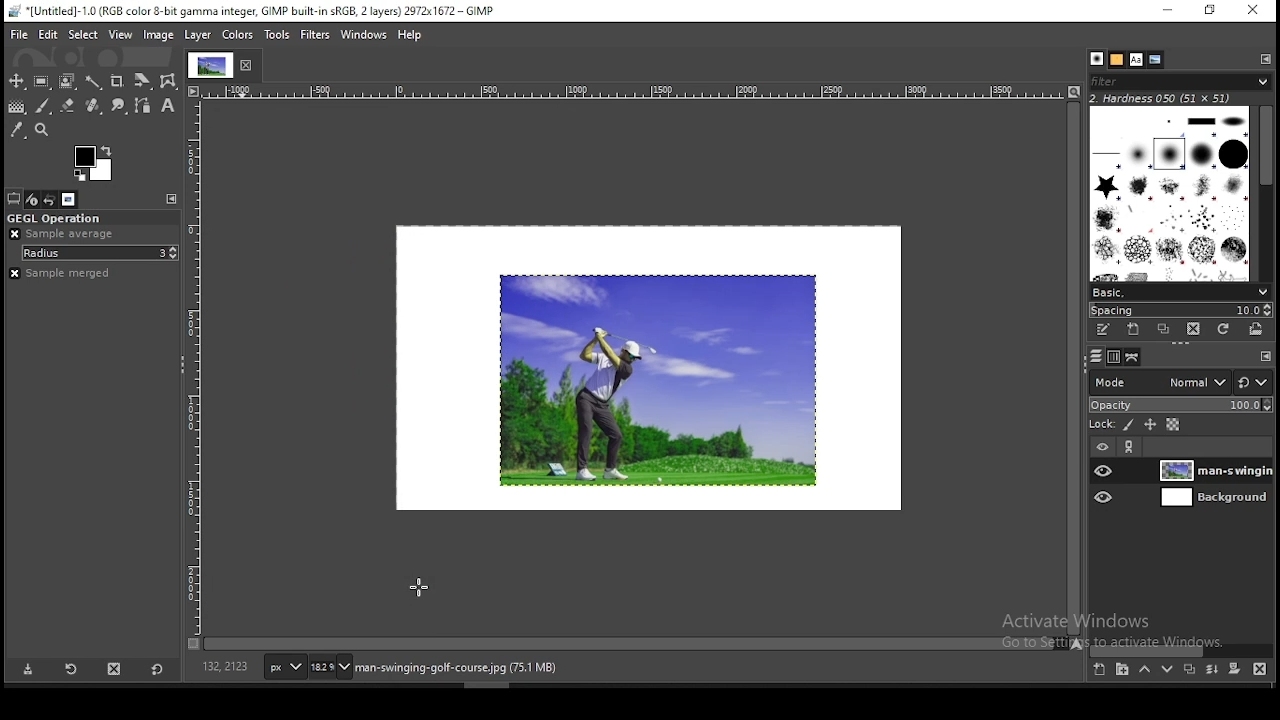 Image resolution: width=1280 pixels, height=720 pixels. I want to click on scroll bar, so click(1073, 369).